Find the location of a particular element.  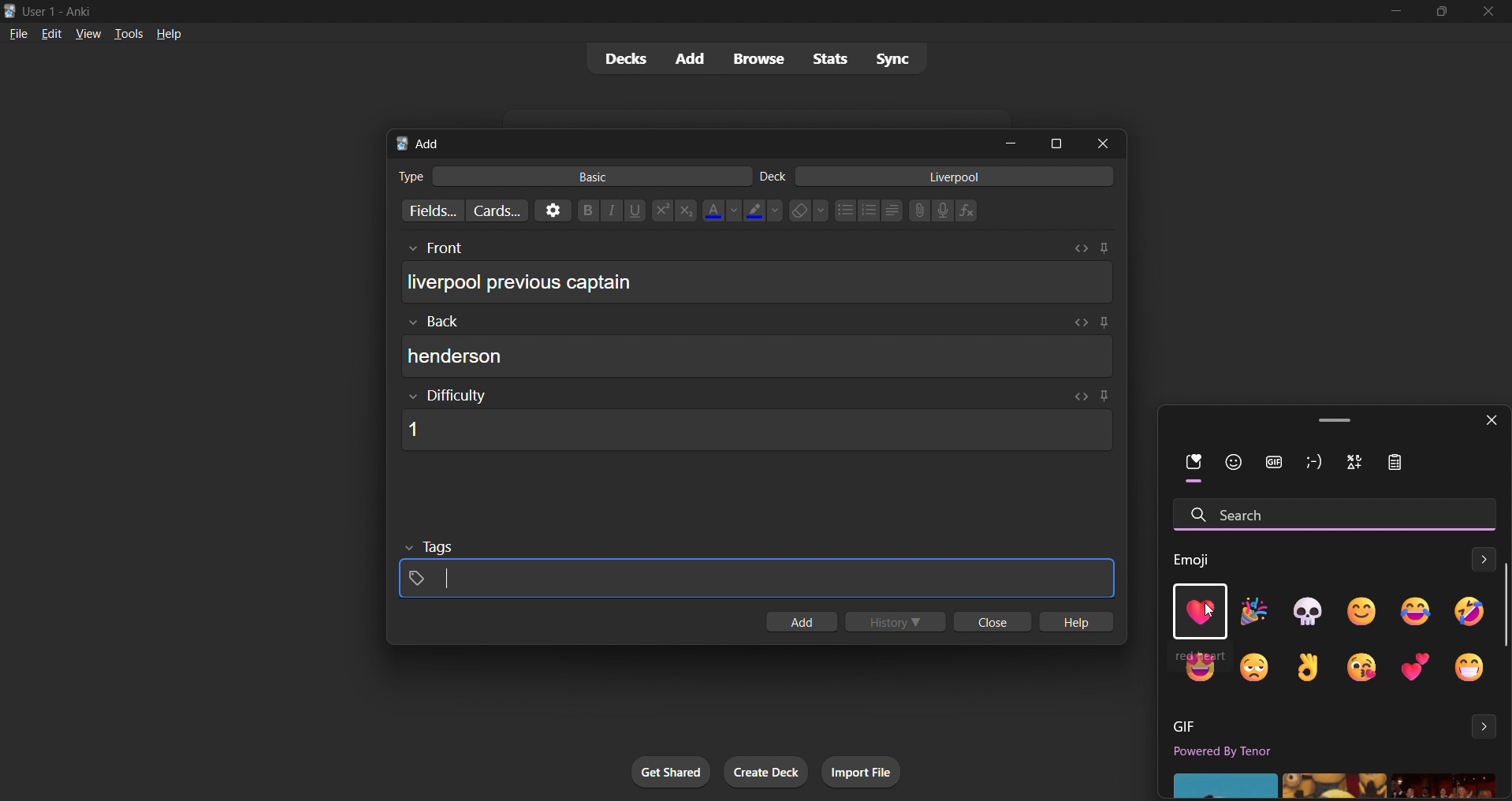

add card title bar is located at coordinates (689, 141).